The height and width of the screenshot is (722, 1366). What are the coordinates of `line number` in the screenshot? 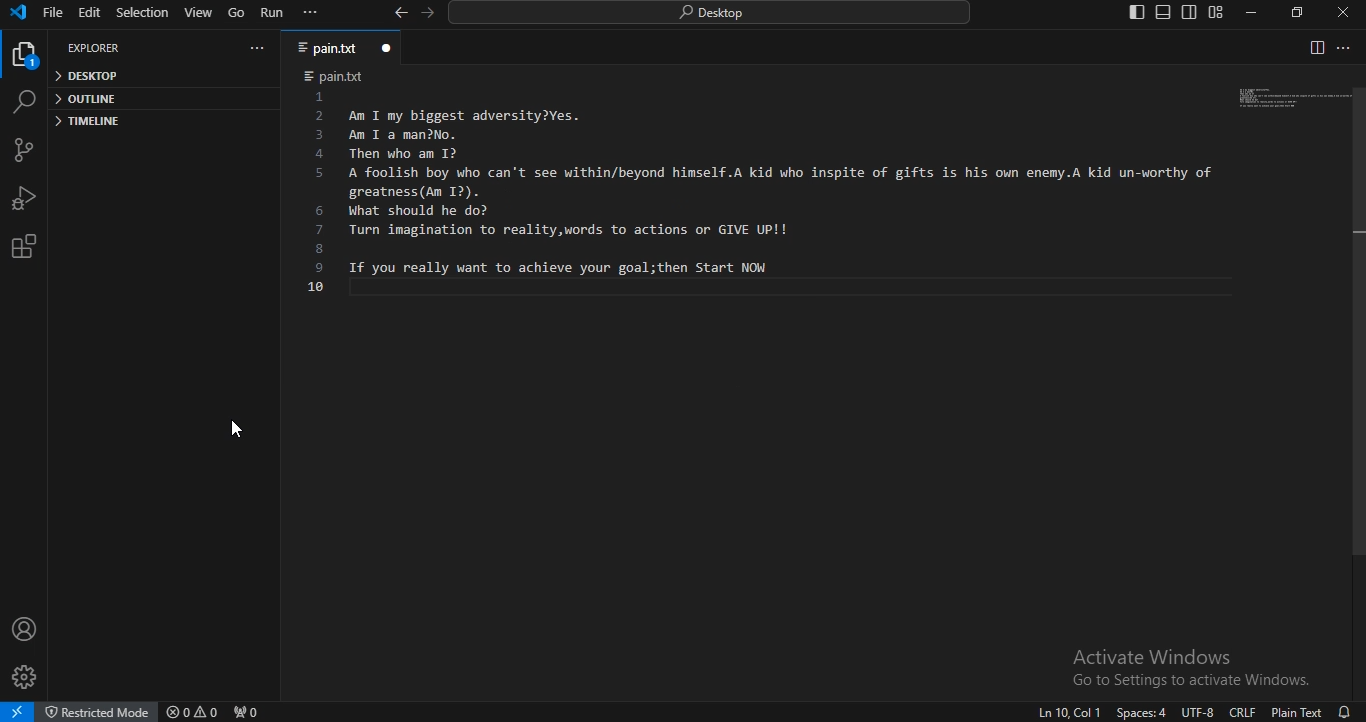 It's located at (318, 194).